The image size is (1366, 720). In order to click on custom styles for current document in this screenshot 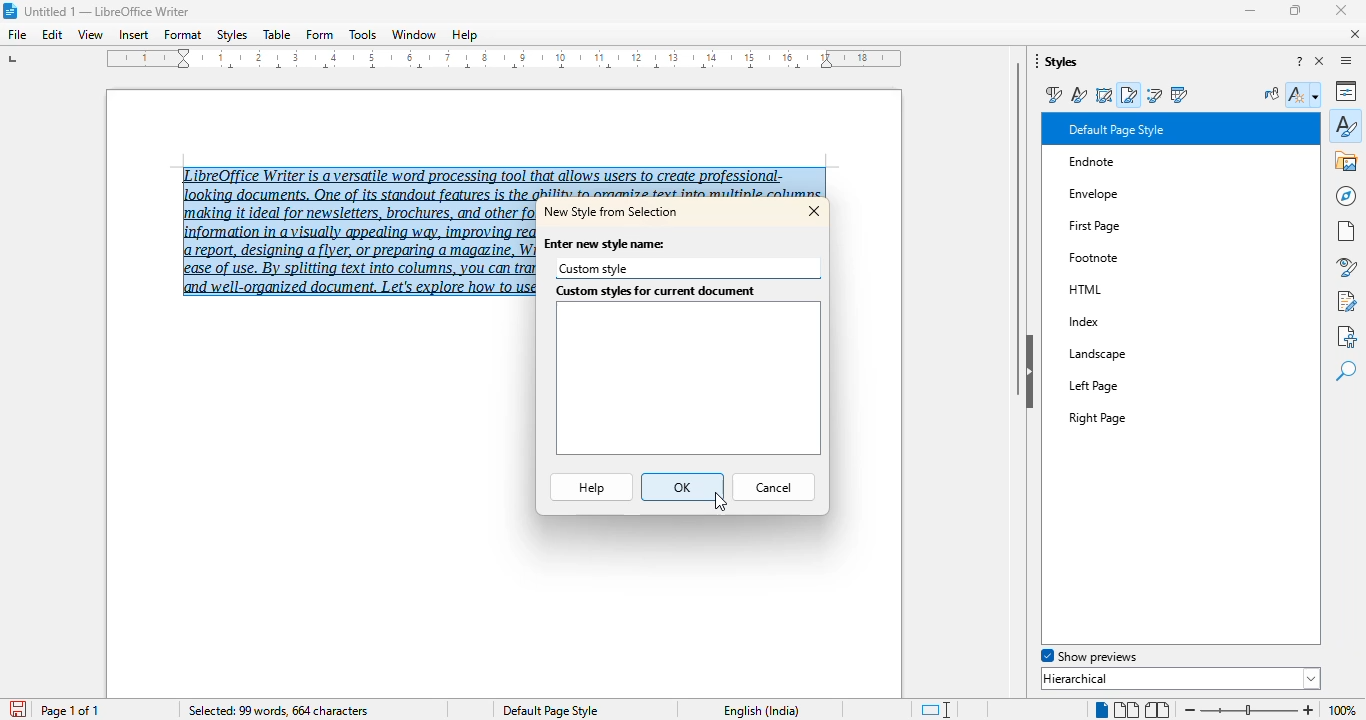, I will do `click(686, 380)`.